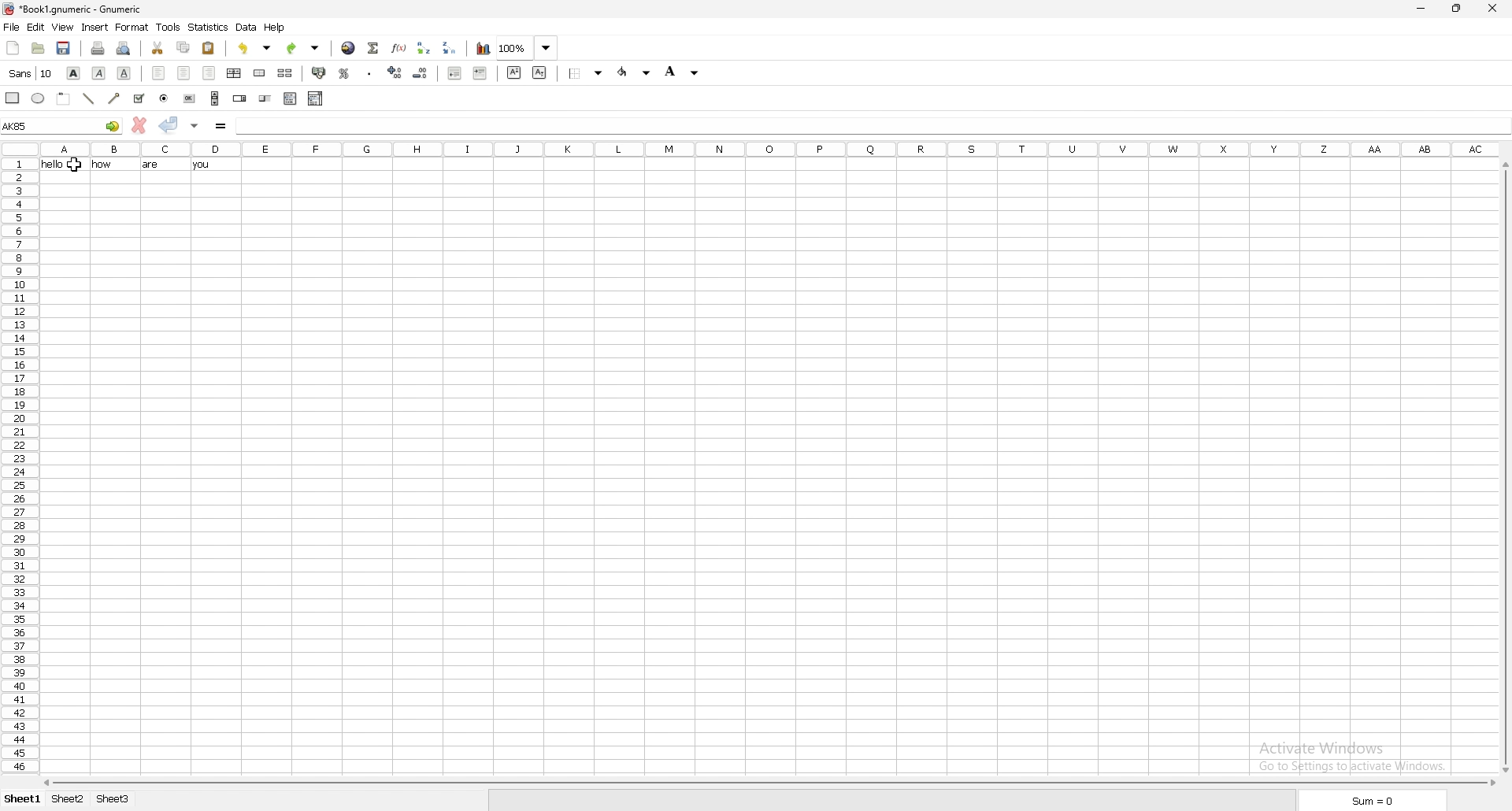  Describe the element at coordinates (246, 28) in the screenshot. I see `data` at that location.